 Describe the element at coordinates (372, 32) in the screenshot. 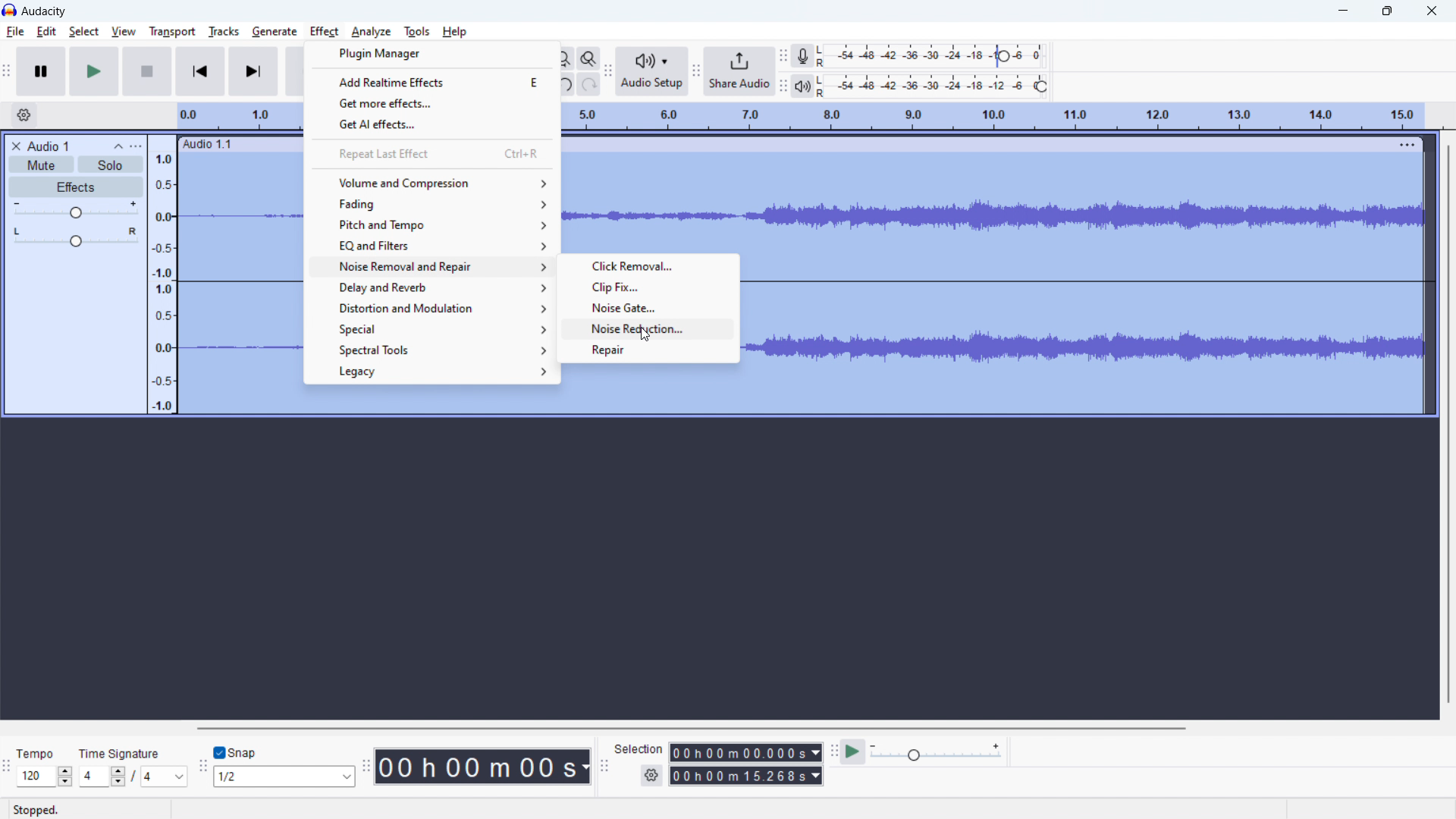

I see `analyze` at that location.